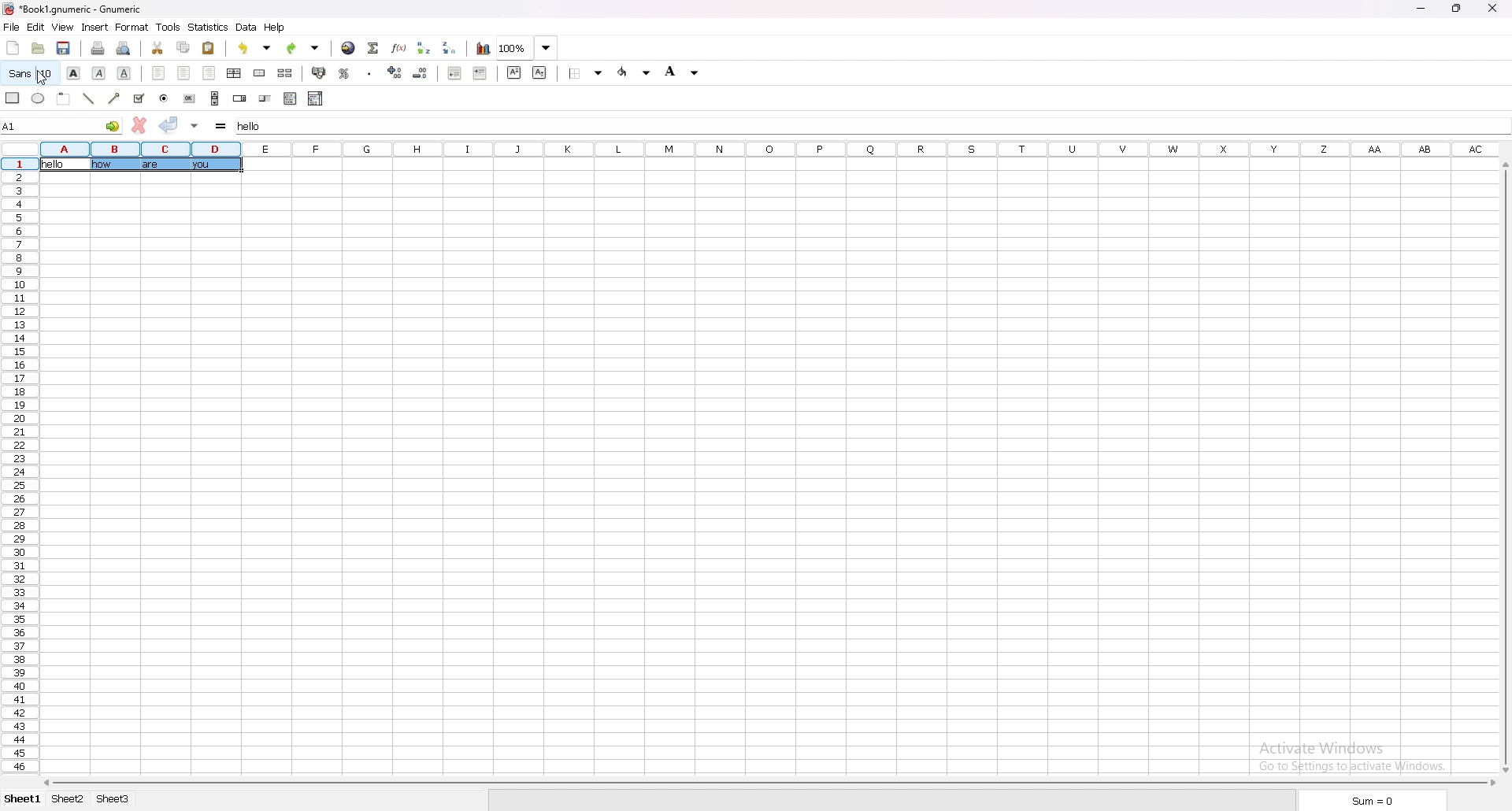 This screenshot has width=1512, height=811. What do you see at coordinates (43, 78) in the screenshot?
I see `cursor` at bounding box center [43, 78].